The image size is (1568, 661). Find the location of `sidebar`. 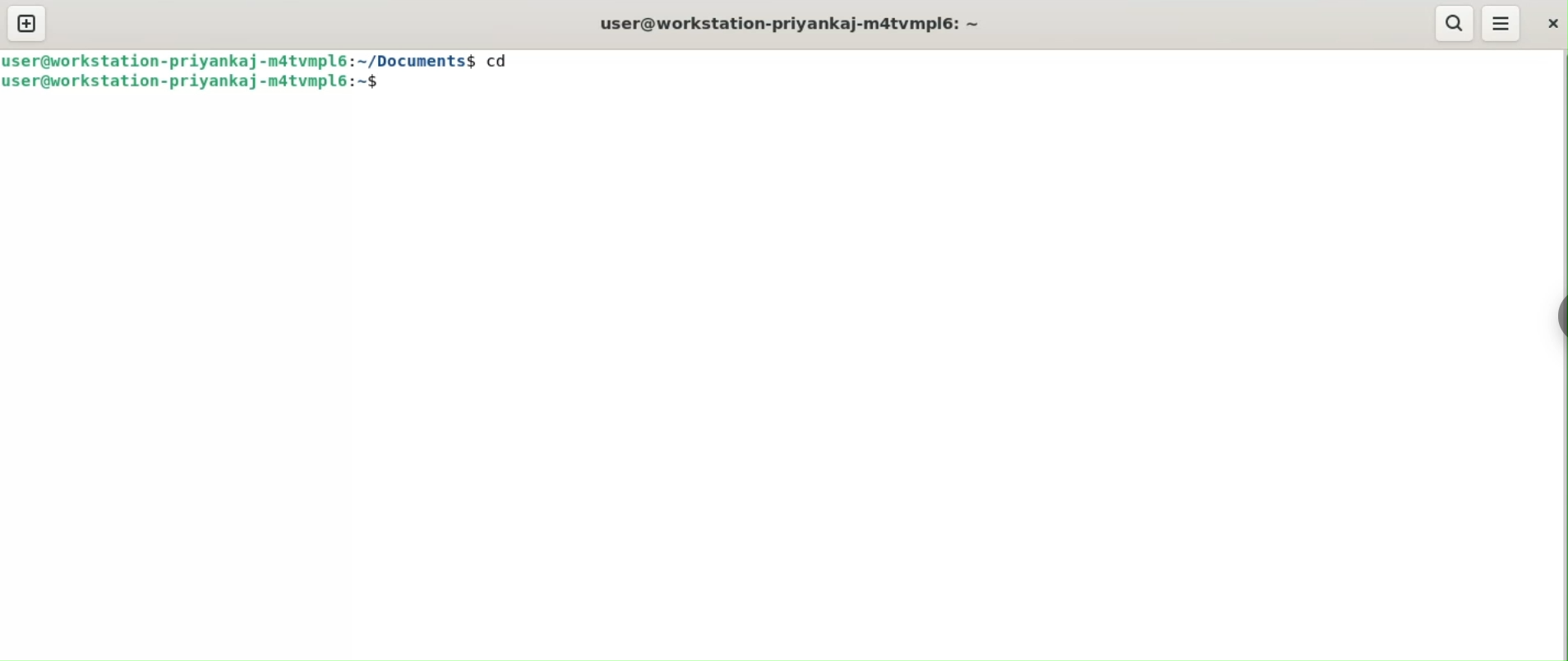

sidebar is located at coordinates (1561, 317).